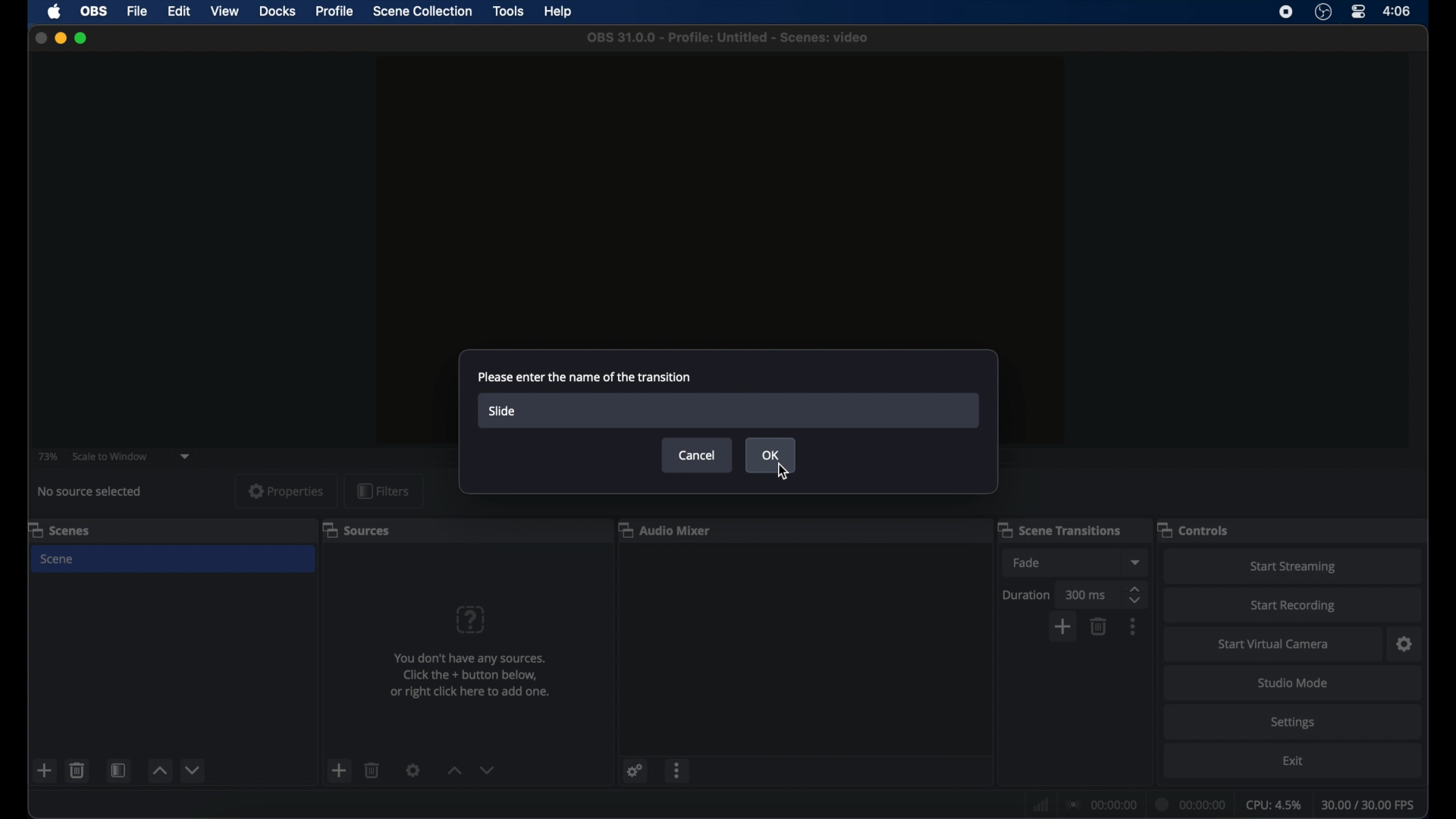 The width and height of the screenshot is (1456, 819). Describe the element at coordinates (1370, 805) in the screenshot. I see `fps` at that location.